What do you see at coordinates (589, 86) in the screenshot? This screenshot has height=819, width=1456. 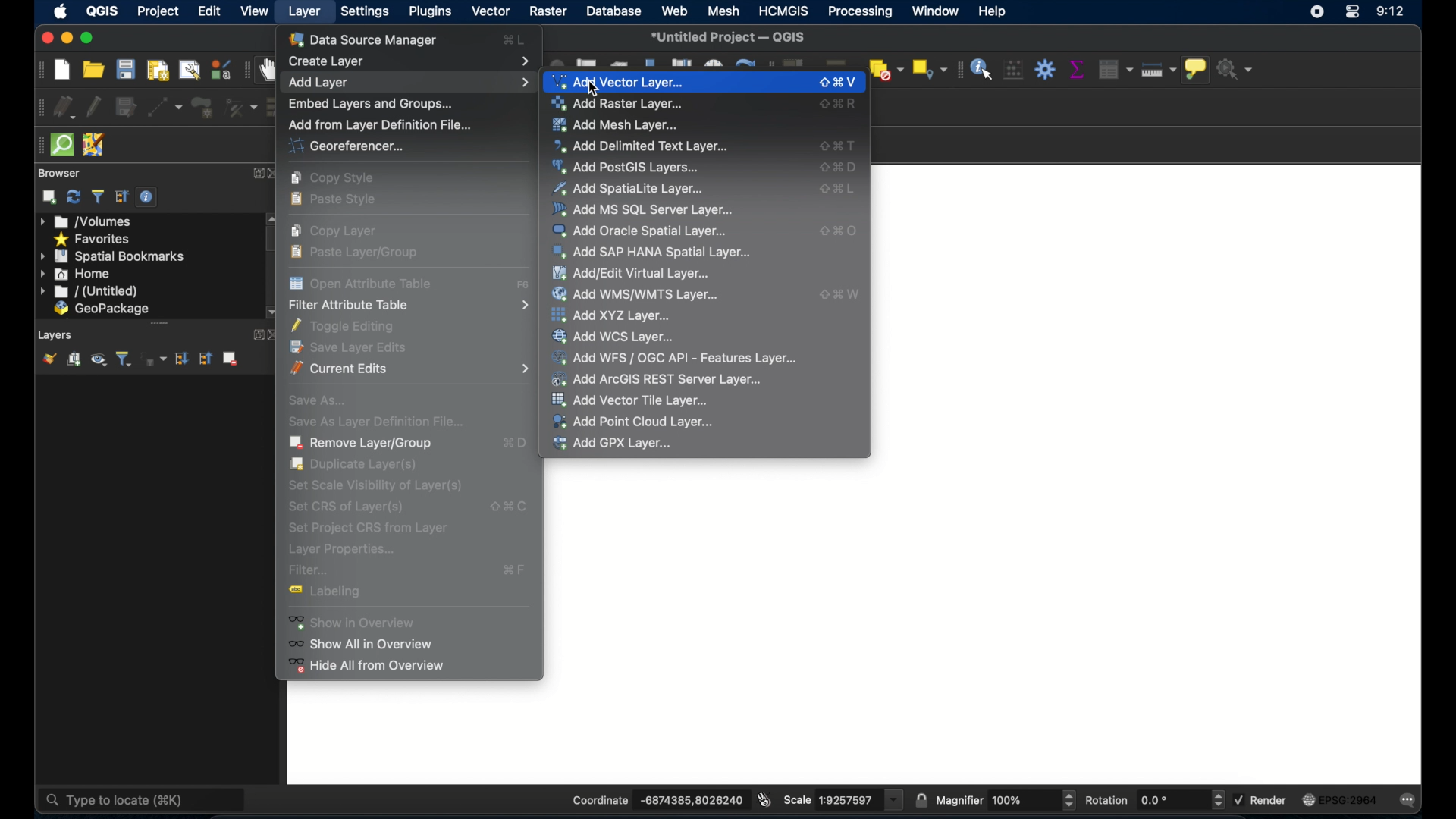 I see `cursor` at bounding box center [589, 86].